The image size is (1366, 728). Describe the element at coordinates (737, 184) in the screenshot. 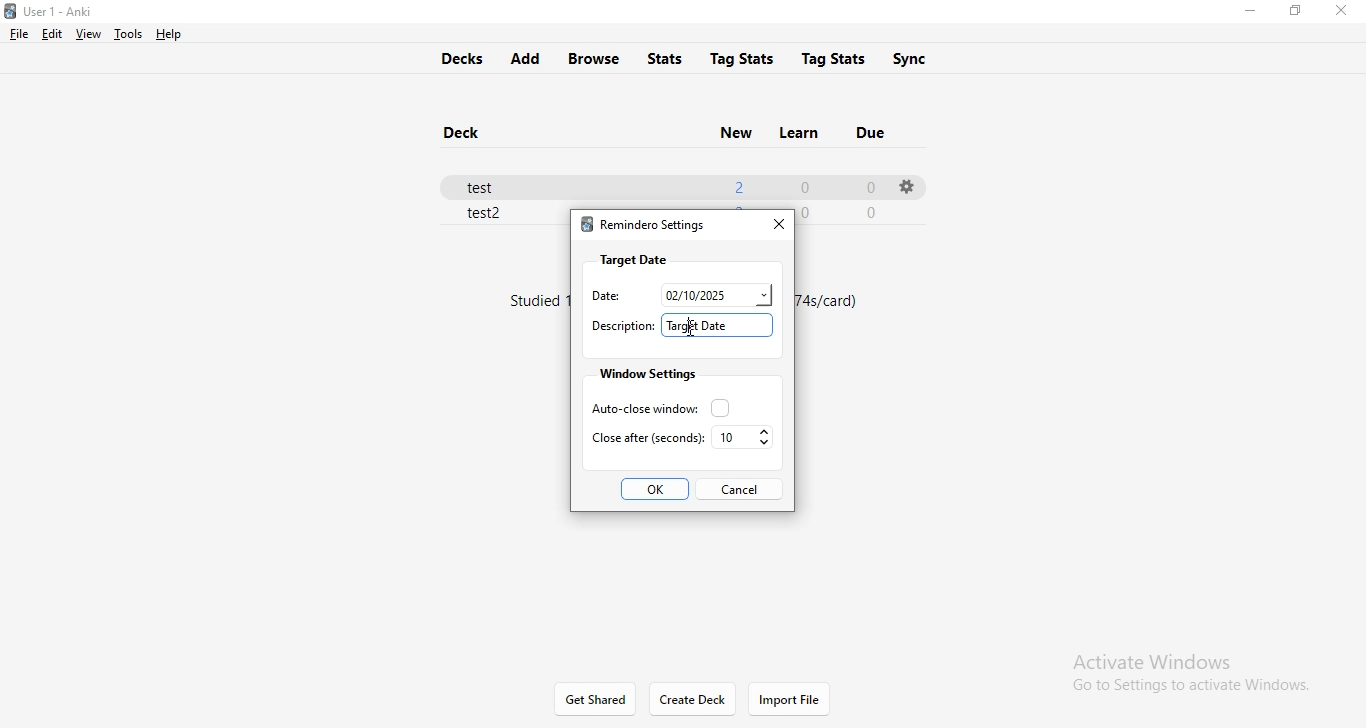

I see `2` at that location.